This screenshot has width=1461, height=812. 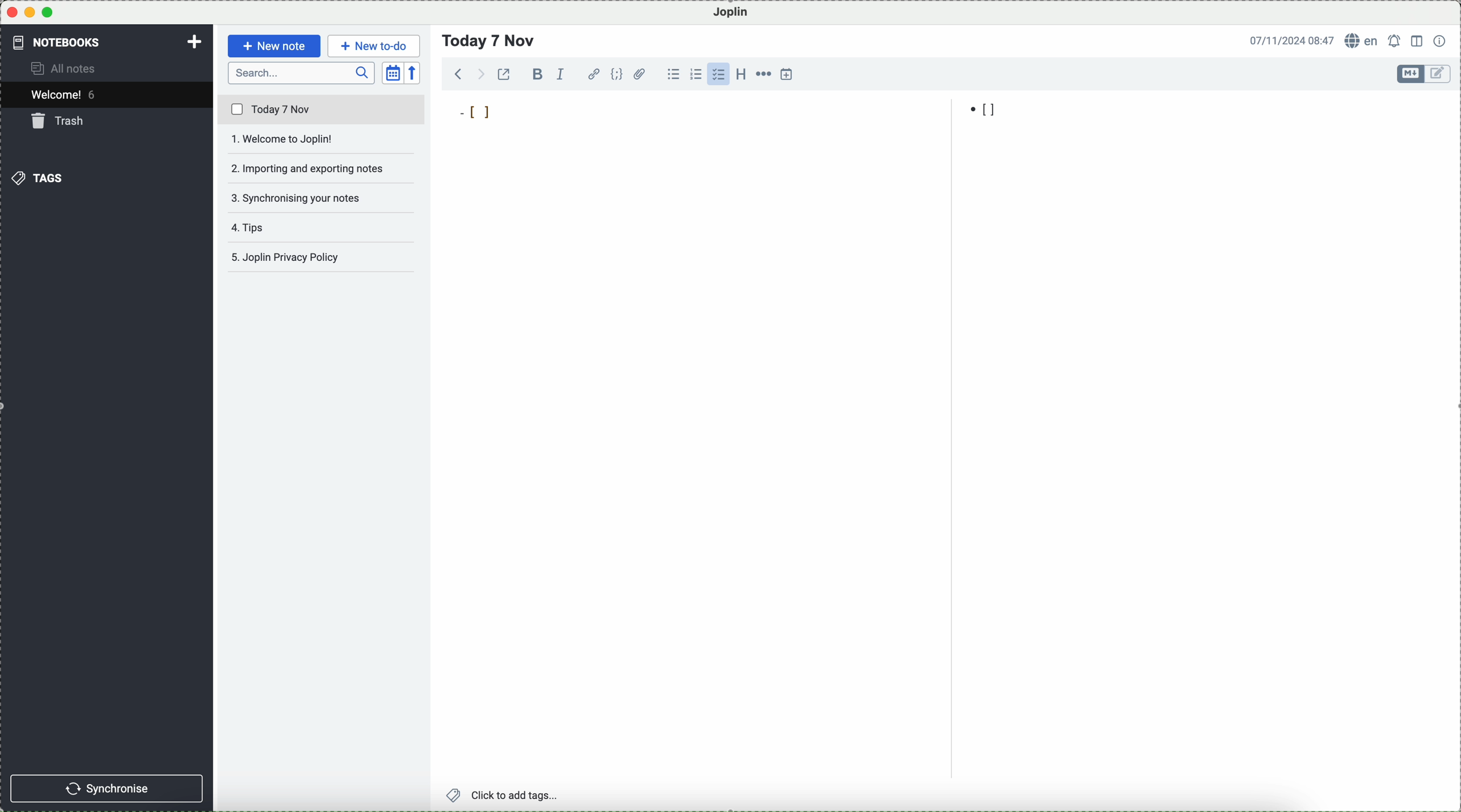 I want to click on all notes, so click(x=65, y=67).